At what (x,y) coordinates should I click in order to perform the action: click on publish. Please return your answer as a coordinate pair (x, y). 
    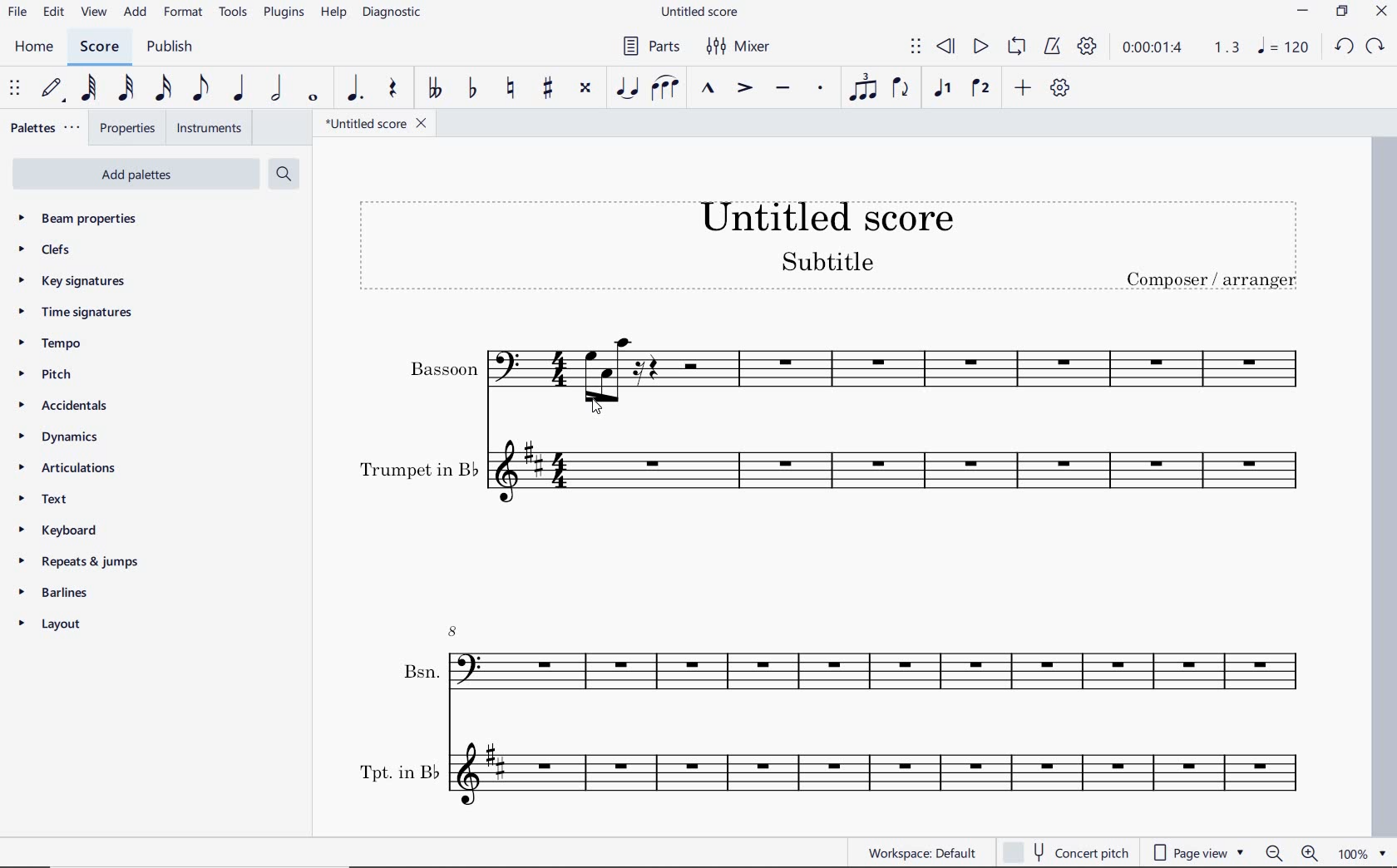
    Looking at the image, I should click on (170, 47).